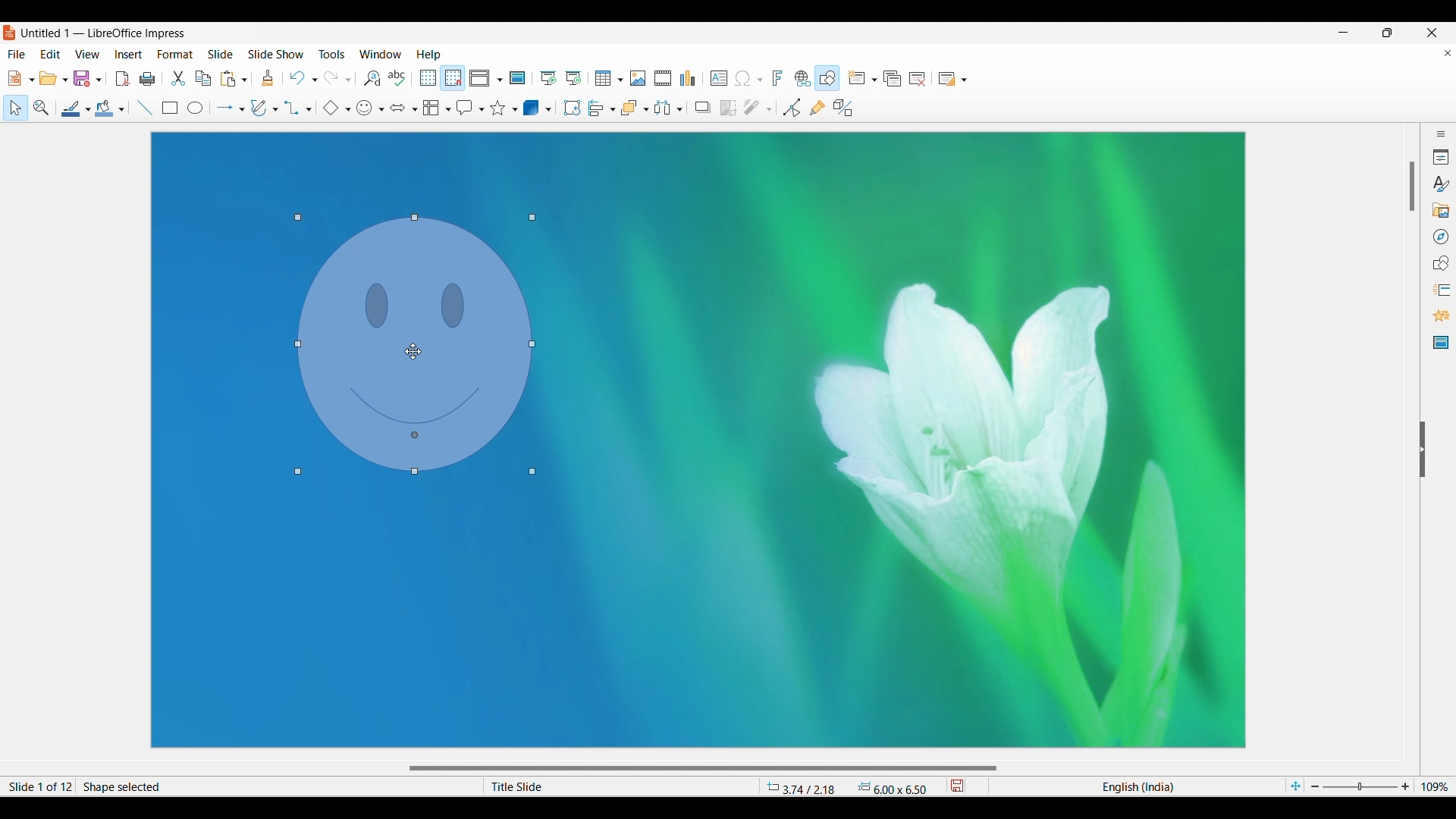  I want to click on Window, so click(381, 54).